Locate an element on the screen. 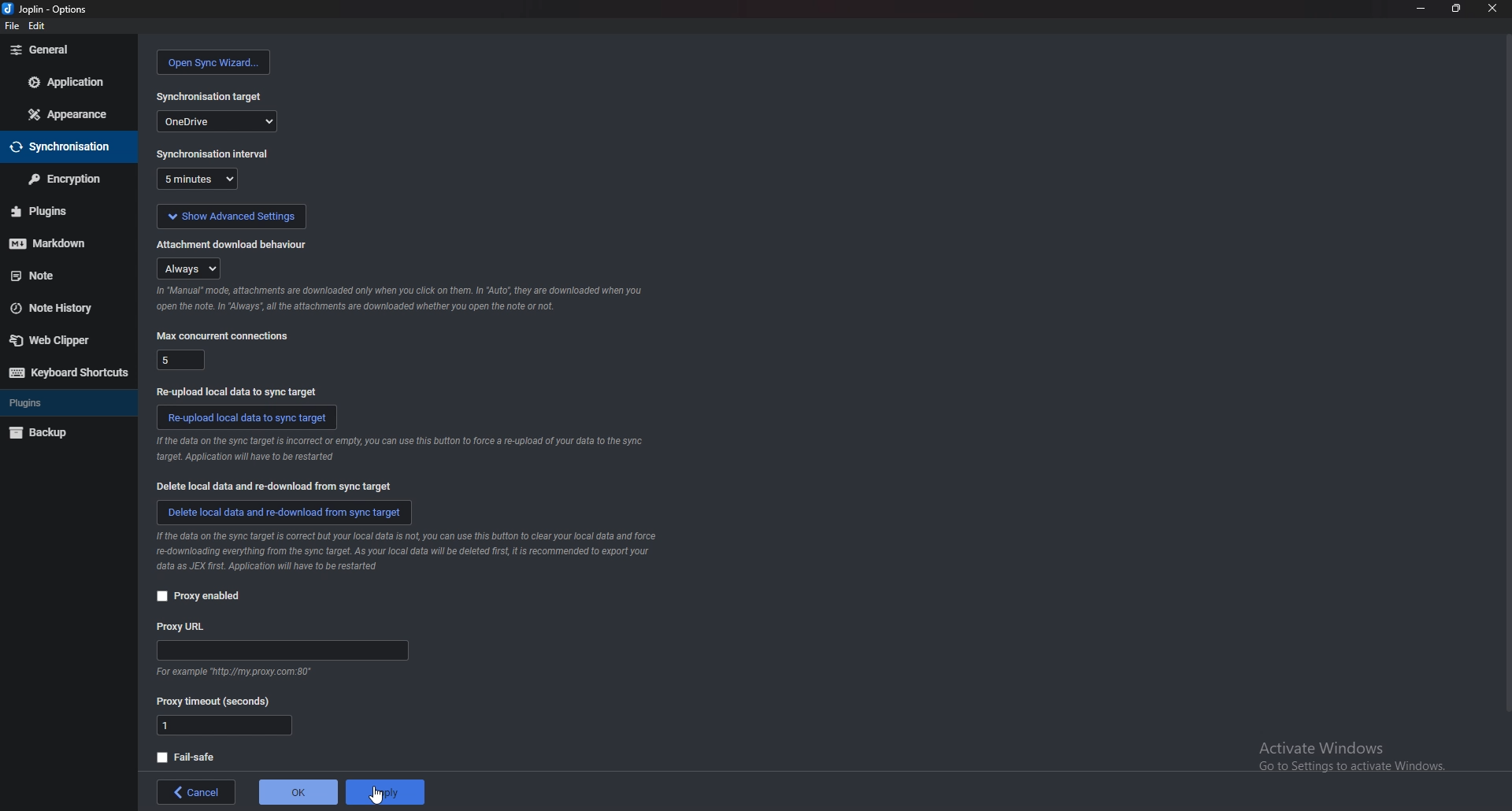 The image size is (1512, 811). cursor is located at coordinates (381, 796).